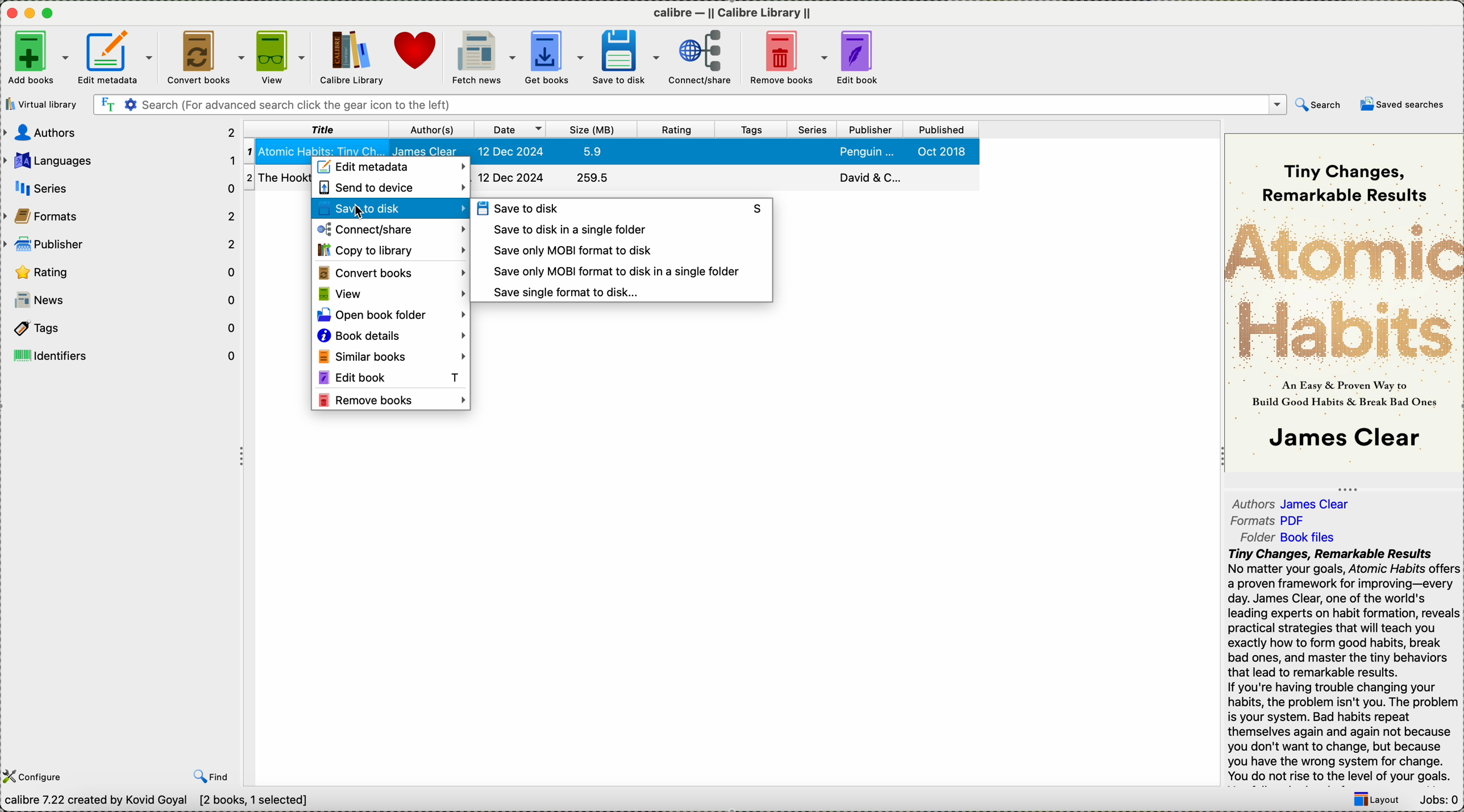 The image size is (1464, 812). Describe the element at coordinates (591, 129) in the screenshot. I see `size` at that location.